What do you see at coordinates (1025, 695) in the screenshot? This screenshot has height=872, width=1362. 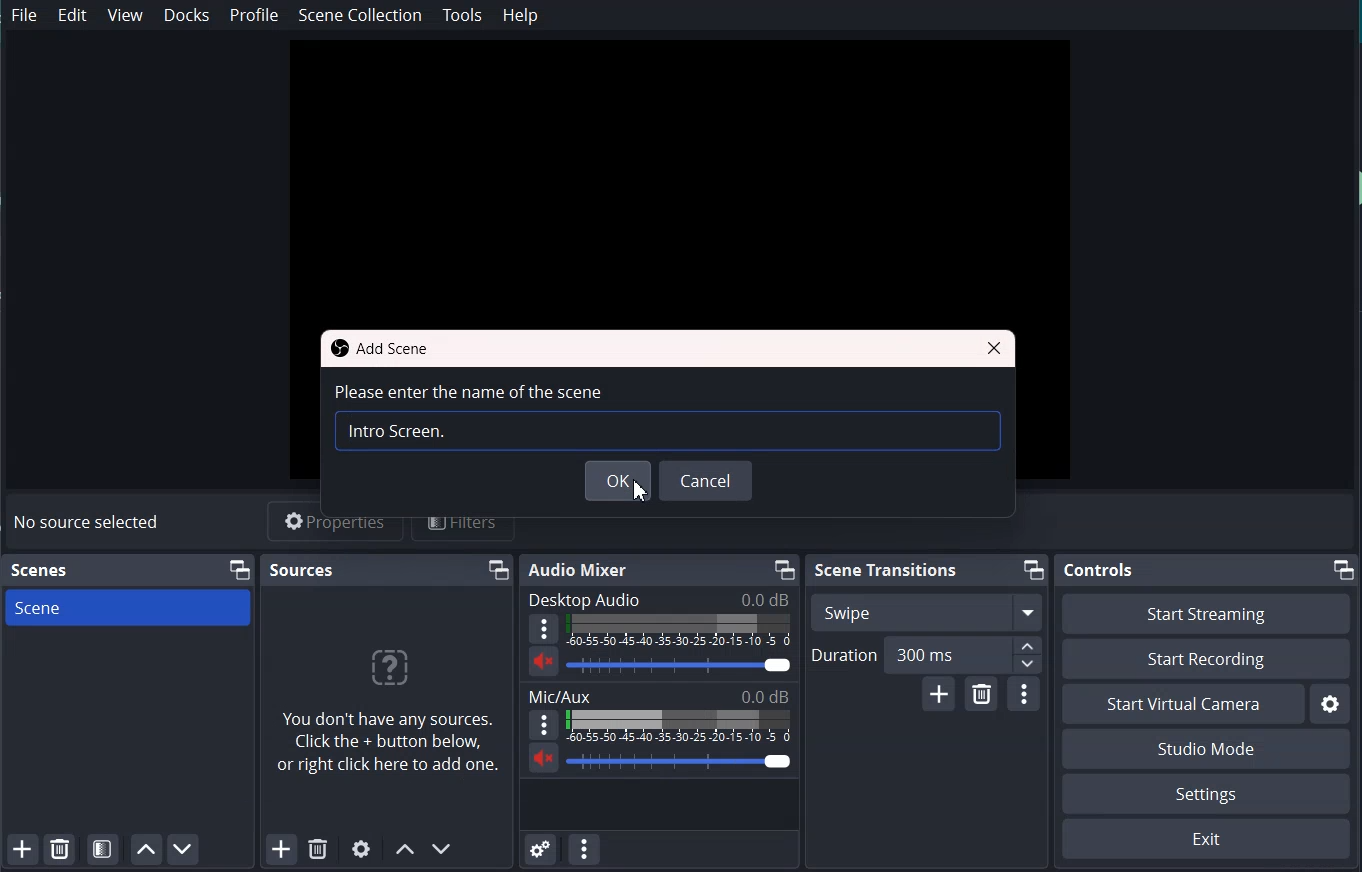 I see `Transition properties` at bounding box center [1025, 695].